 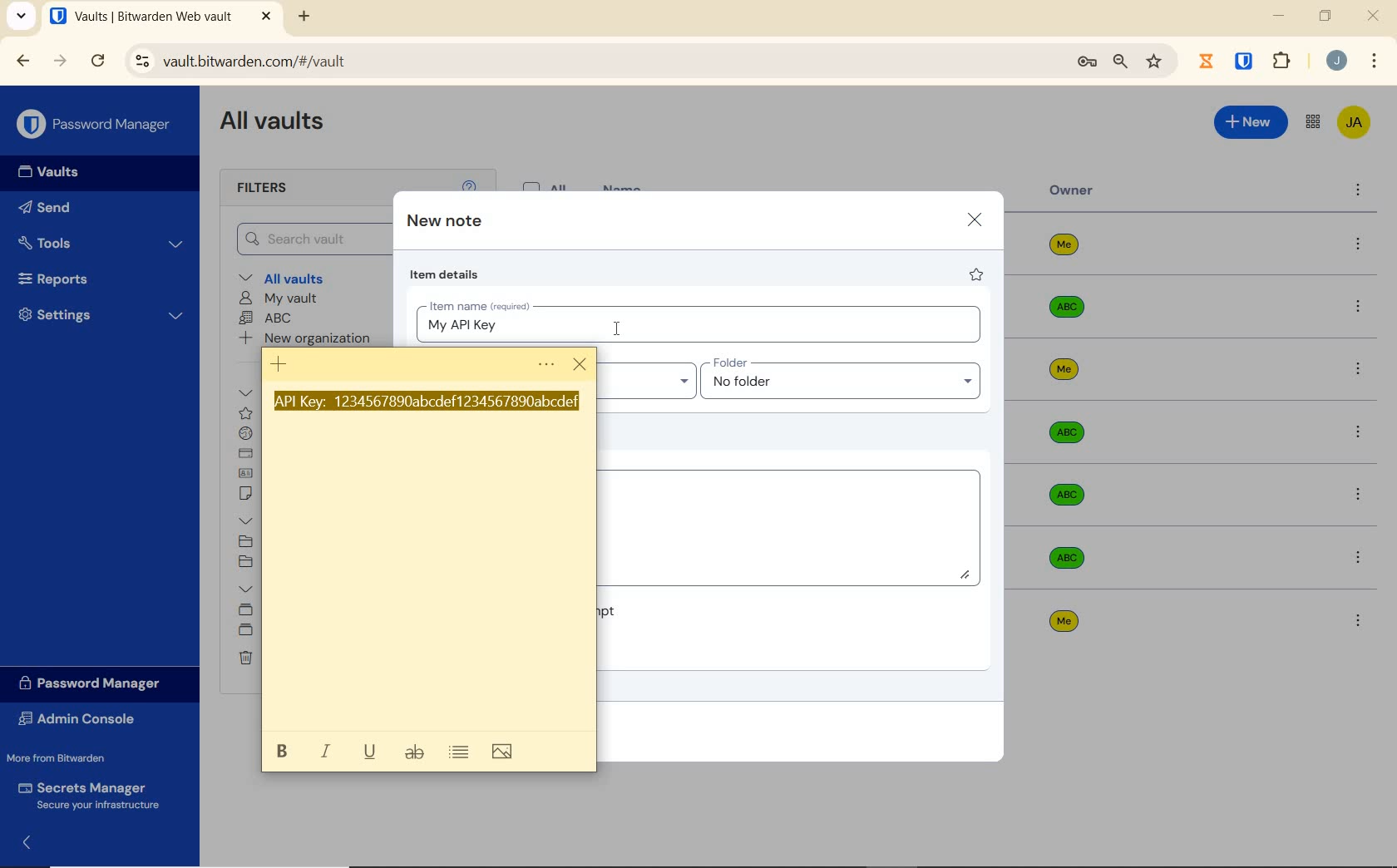 I want to click on more options, so click(x=1360, y=495).